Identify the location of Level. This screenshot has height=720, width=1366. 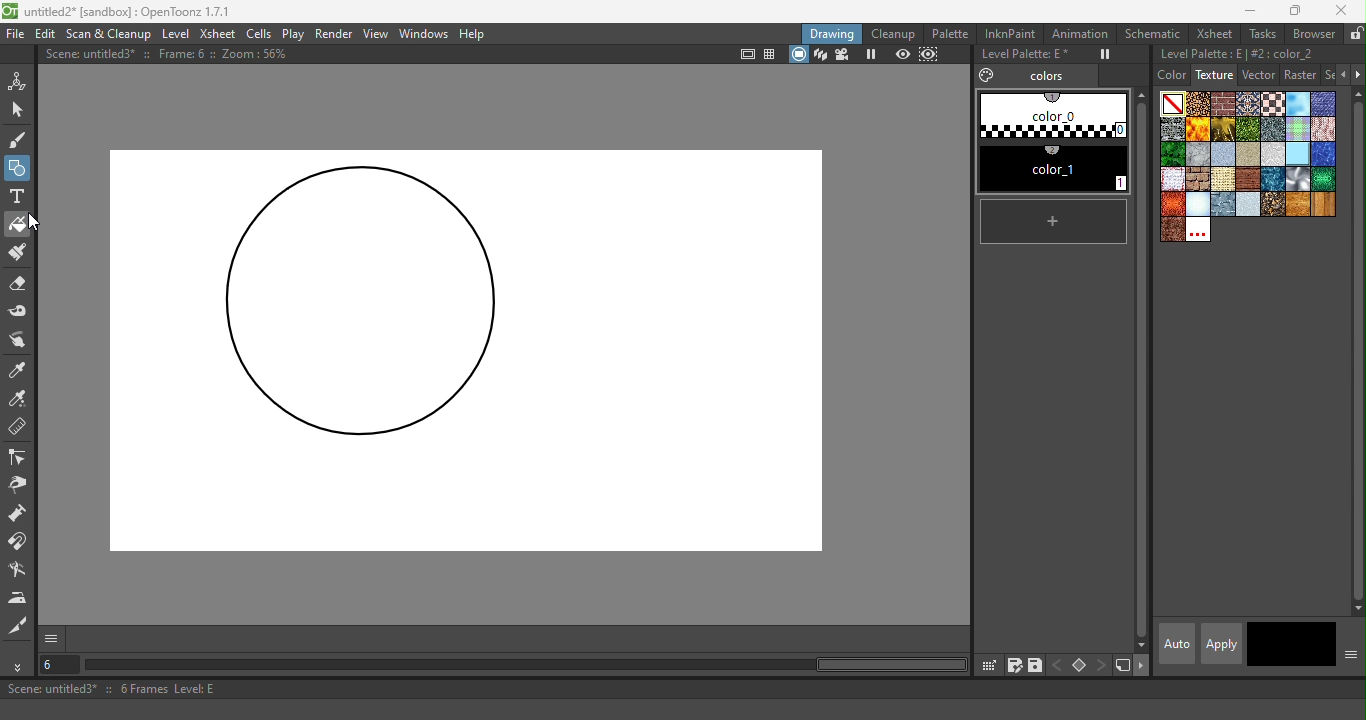
(177, 33).